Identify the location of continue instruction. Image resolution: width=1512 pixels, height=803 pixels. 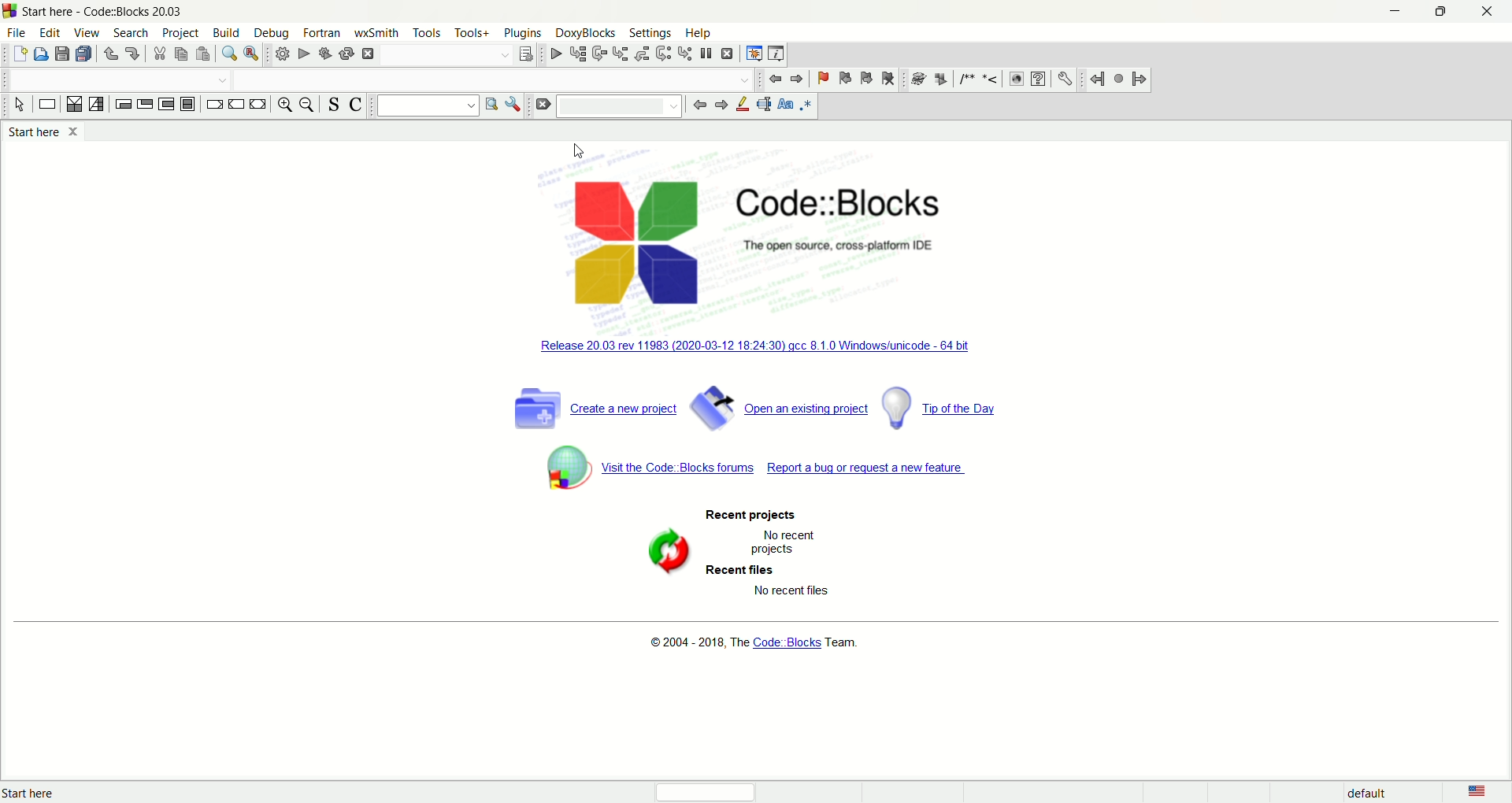
(235, 103).